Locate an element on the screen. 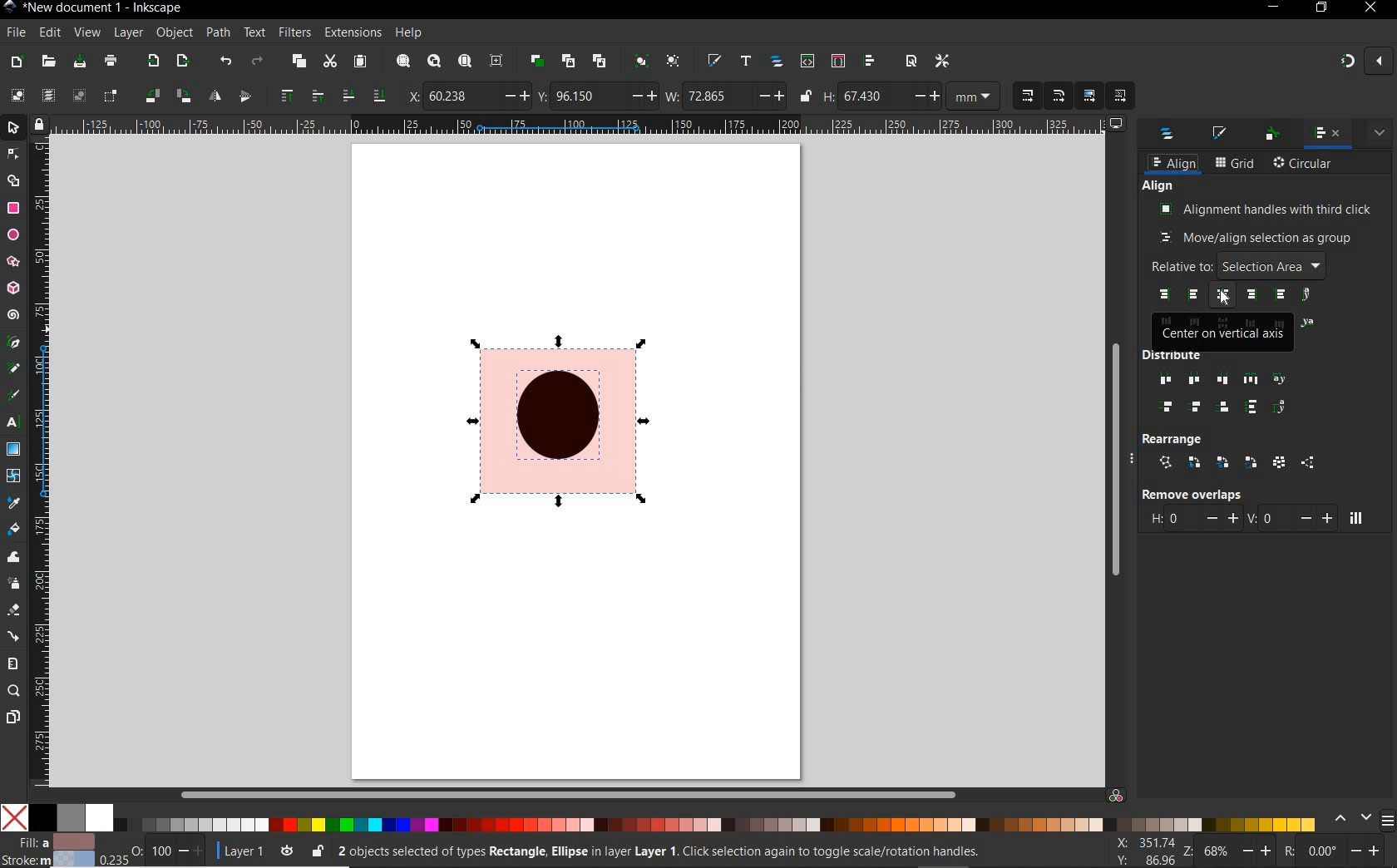  zoom drawing is located at coordinates (435, 61).